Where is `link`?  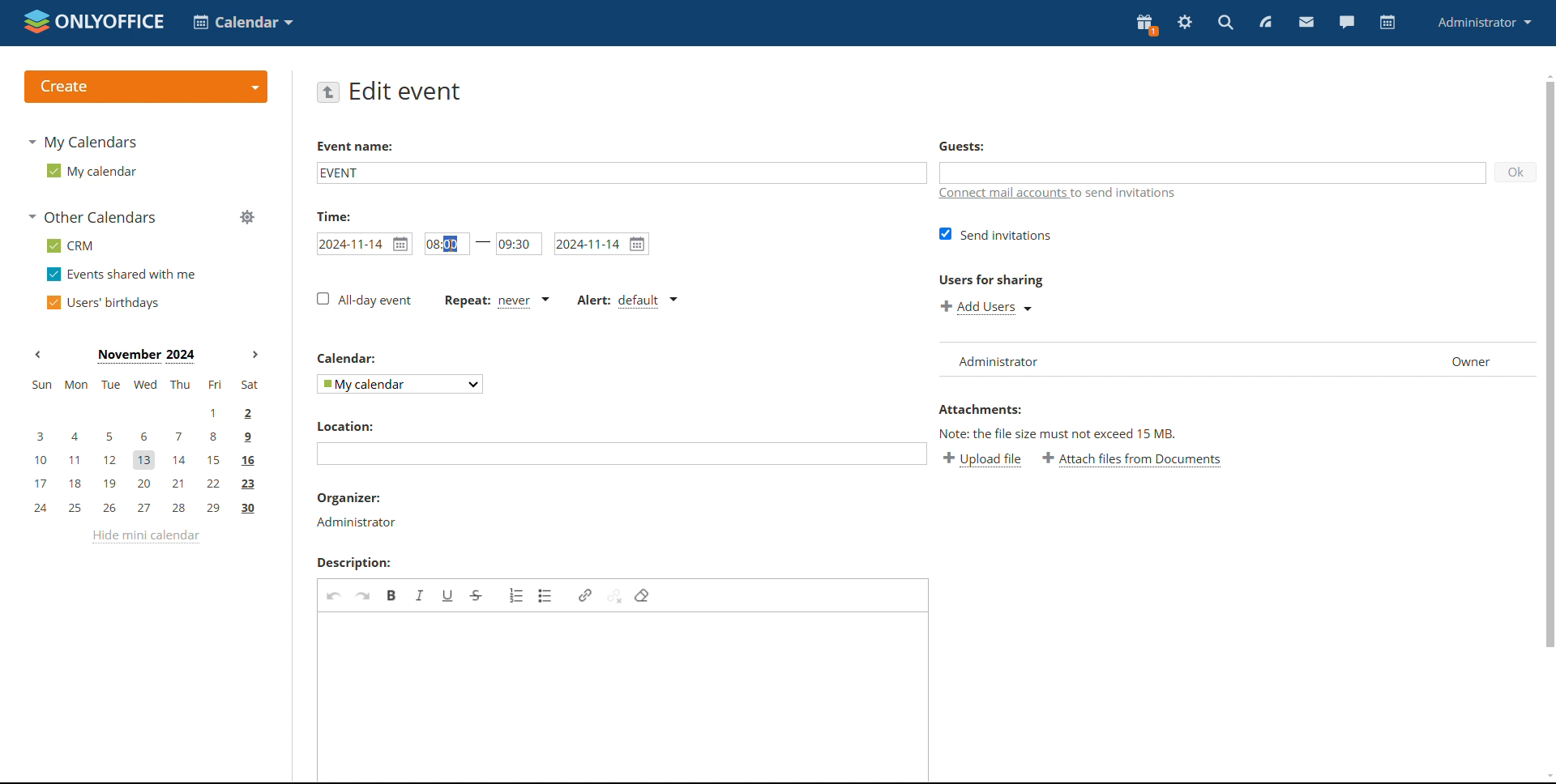
link is located at coordinates (584, 595).